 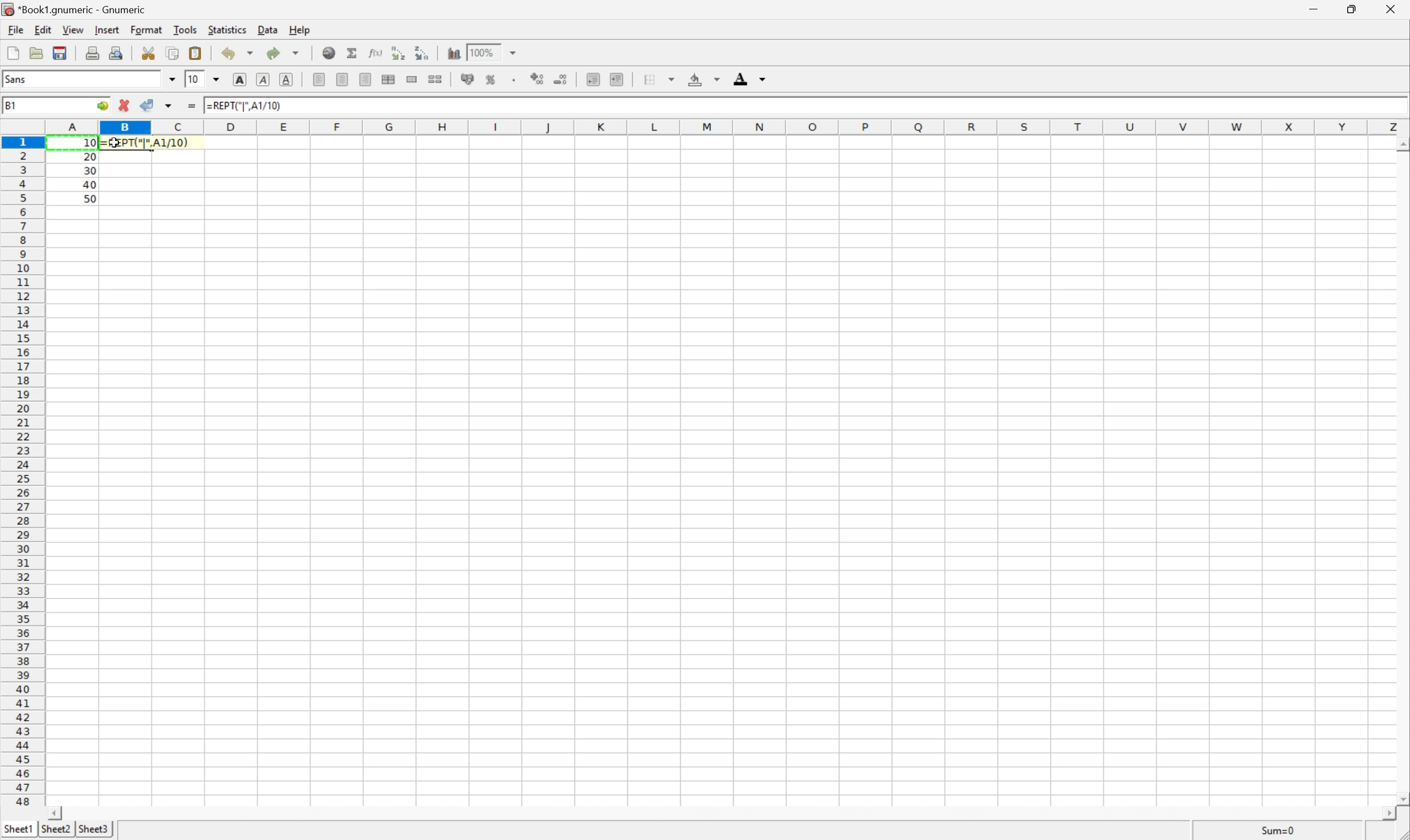 What do you see at coordinates (171, 79) in the screenshot?
I see `Drop Down` at bounding box center [171, 79].